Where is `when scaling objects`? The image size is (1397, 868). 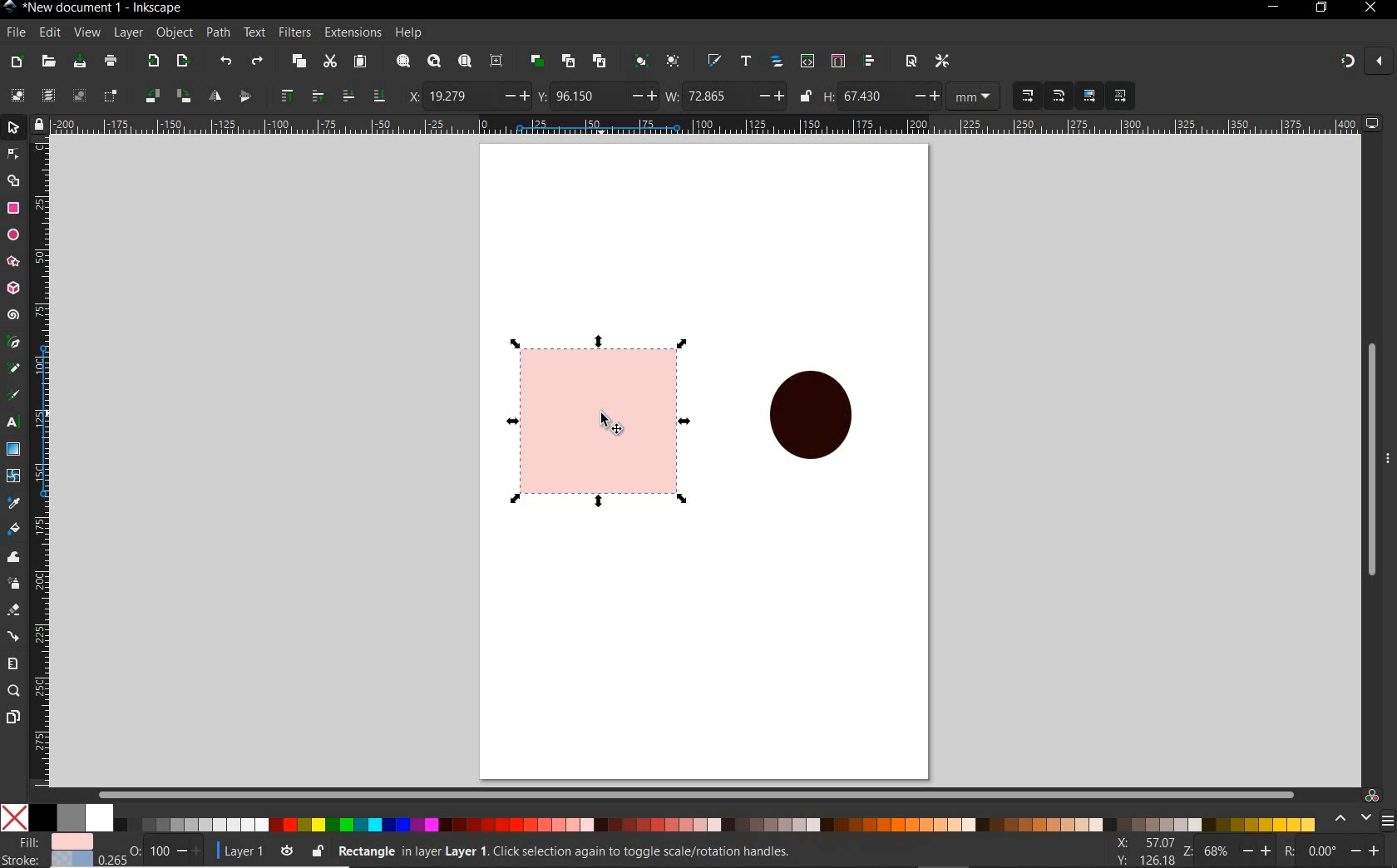 when scaling objects is located at coordinates (1027, 96).